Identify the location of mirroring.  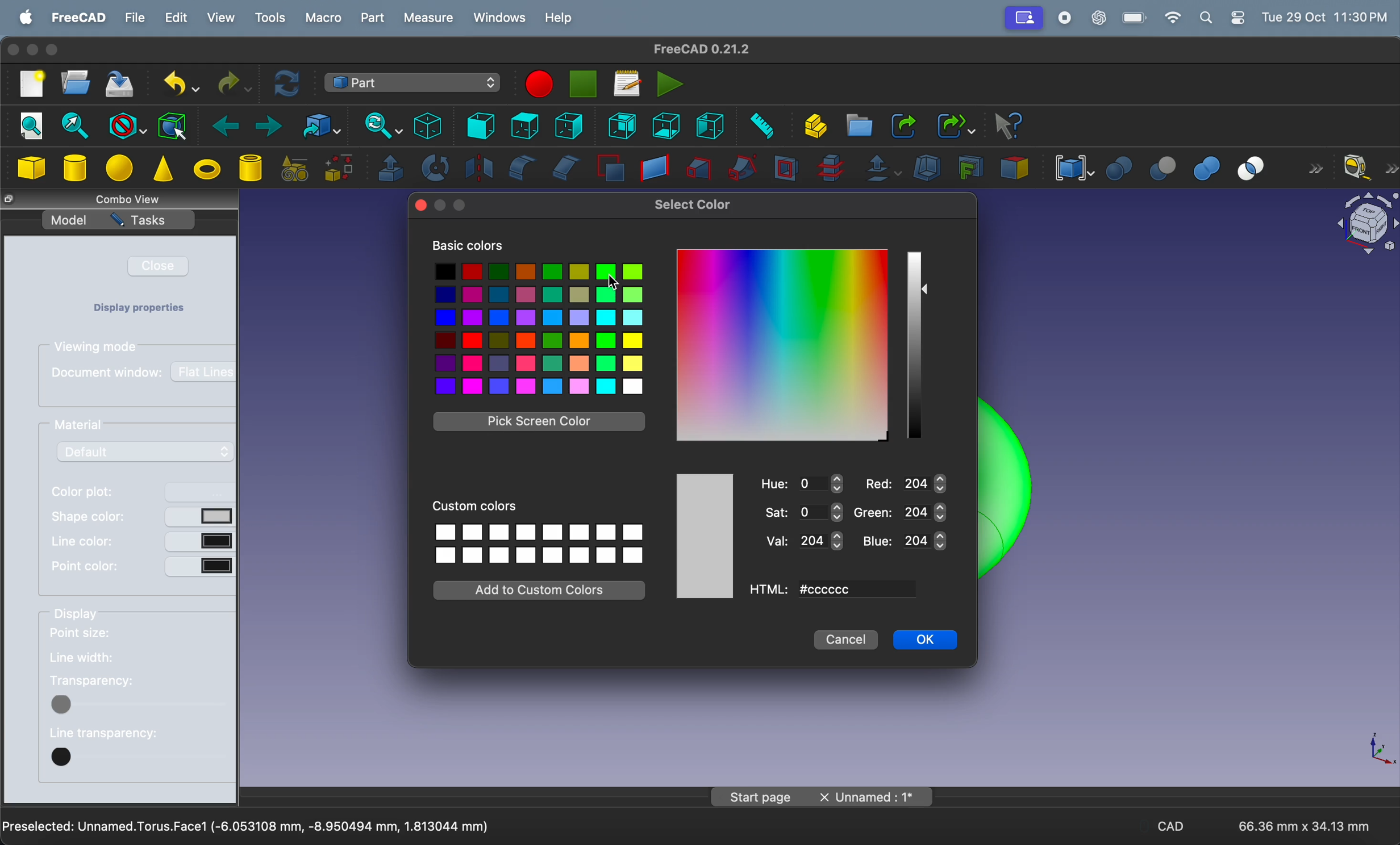
(476, 168).